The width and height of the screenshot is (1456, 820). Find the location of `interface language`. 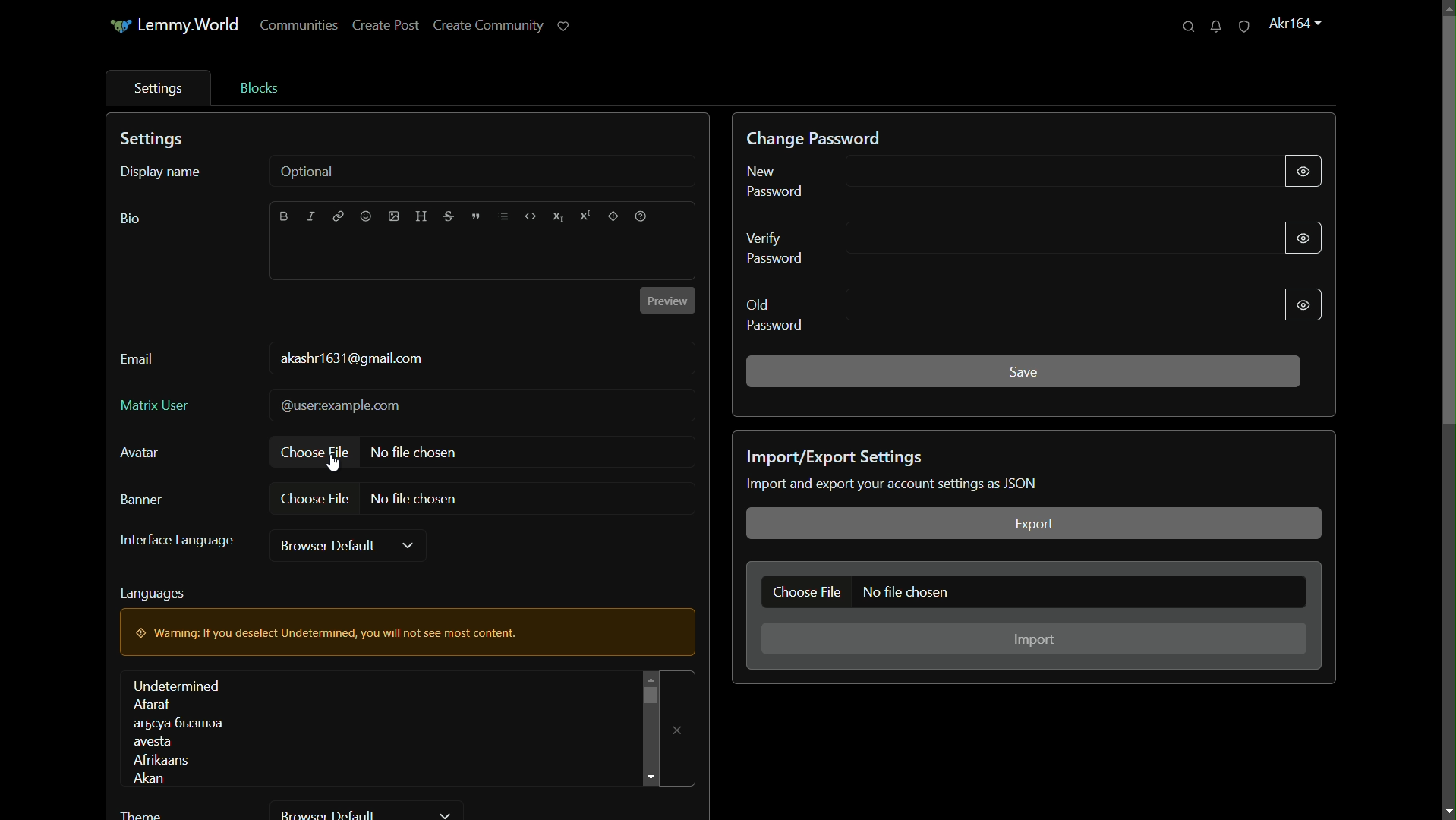

interface language is located at coordinates (177, 541).